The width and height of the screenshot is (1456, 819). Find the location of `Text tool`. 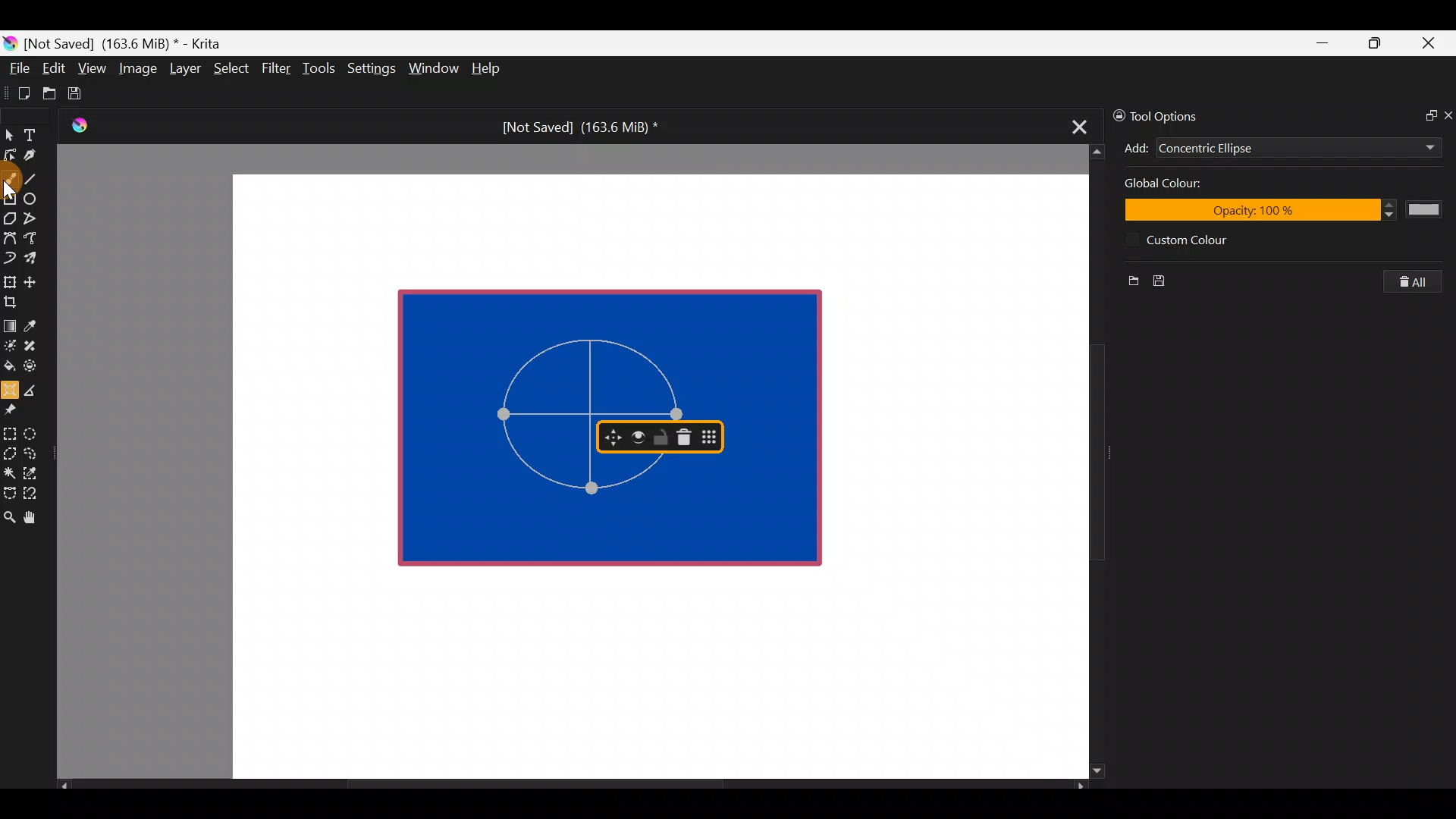

Text tool is located at coordinates (38, 134).